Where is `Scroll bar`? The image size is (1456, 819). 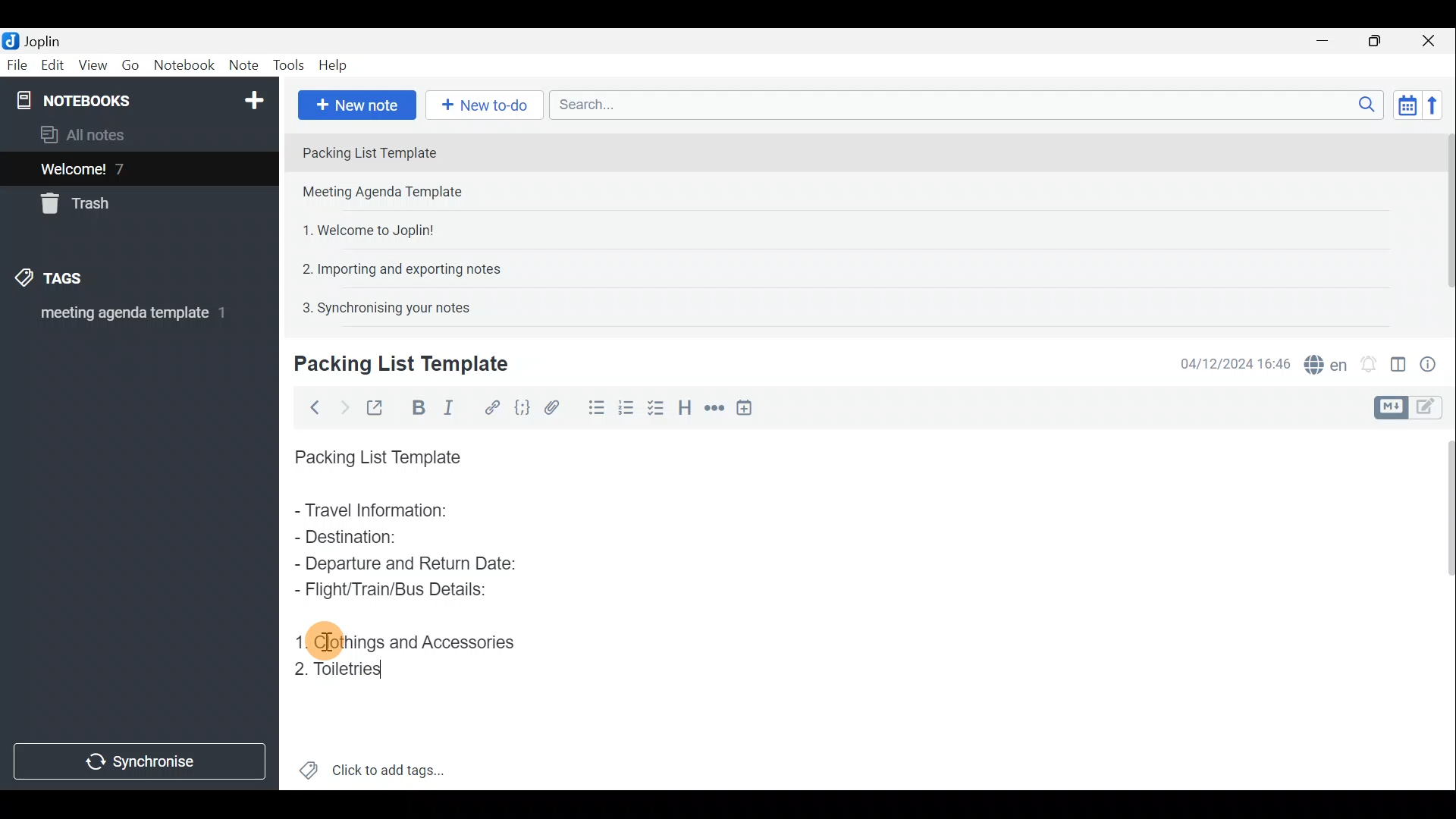
Scroll bar is located at coordinates (1442, 607).